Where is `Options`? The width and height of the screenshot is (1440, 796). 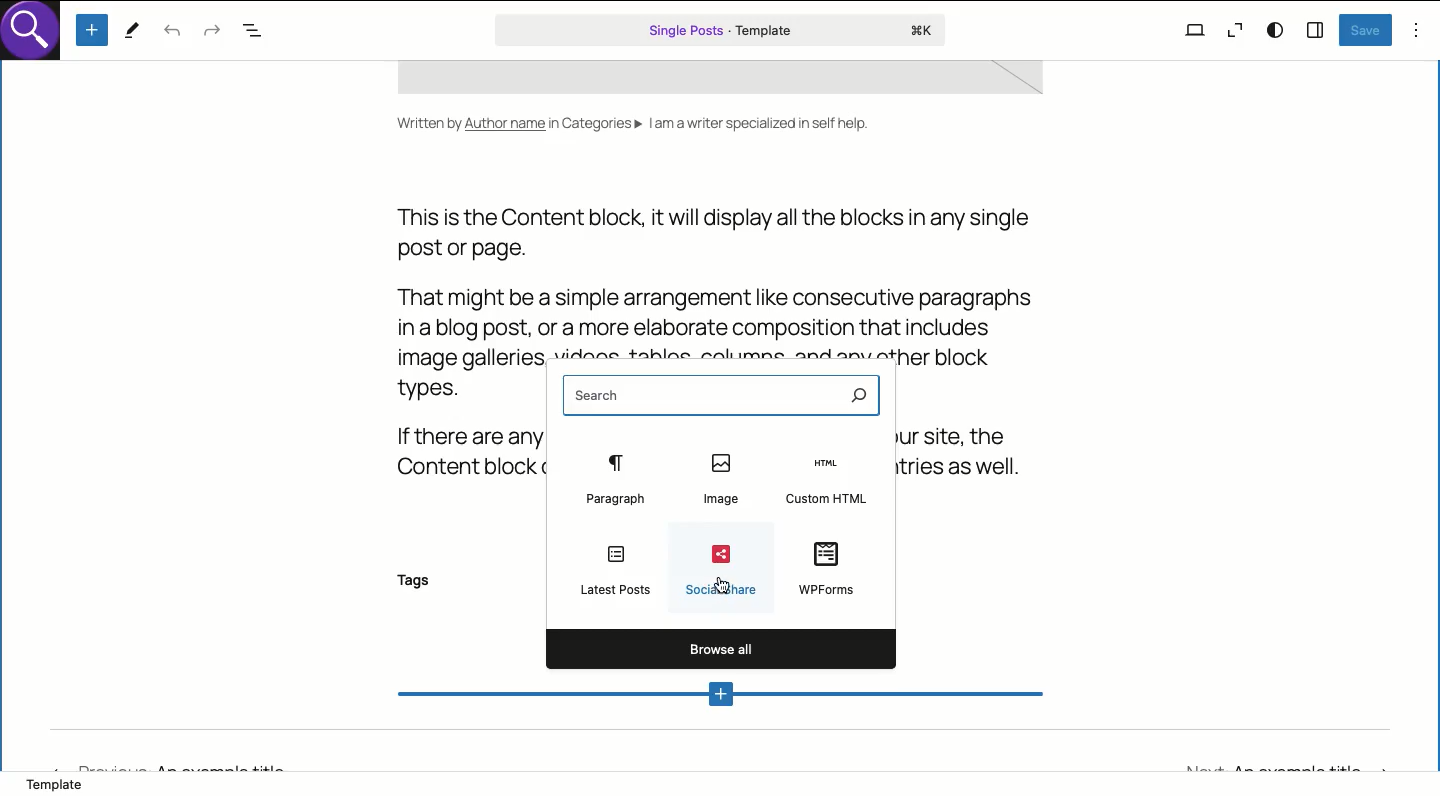
Options is located at coordinates (1417, 30).